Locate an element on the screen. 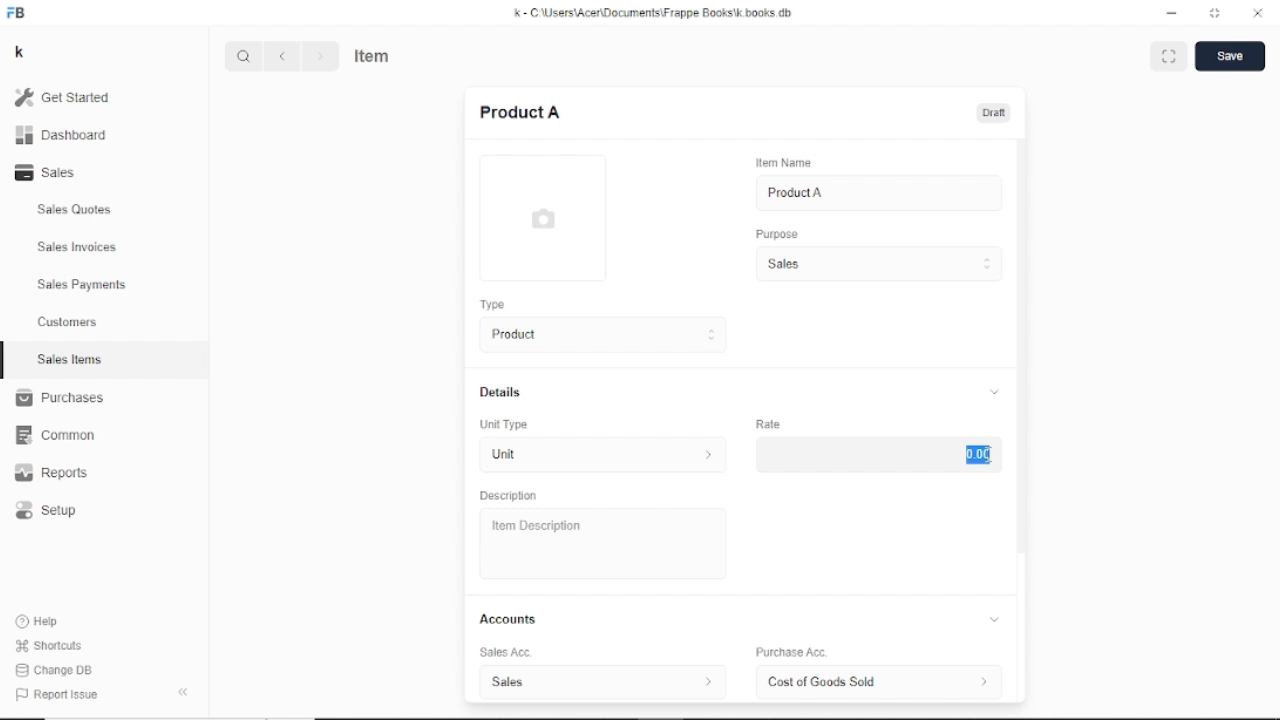  Sales is located at coordinates (601, 681).